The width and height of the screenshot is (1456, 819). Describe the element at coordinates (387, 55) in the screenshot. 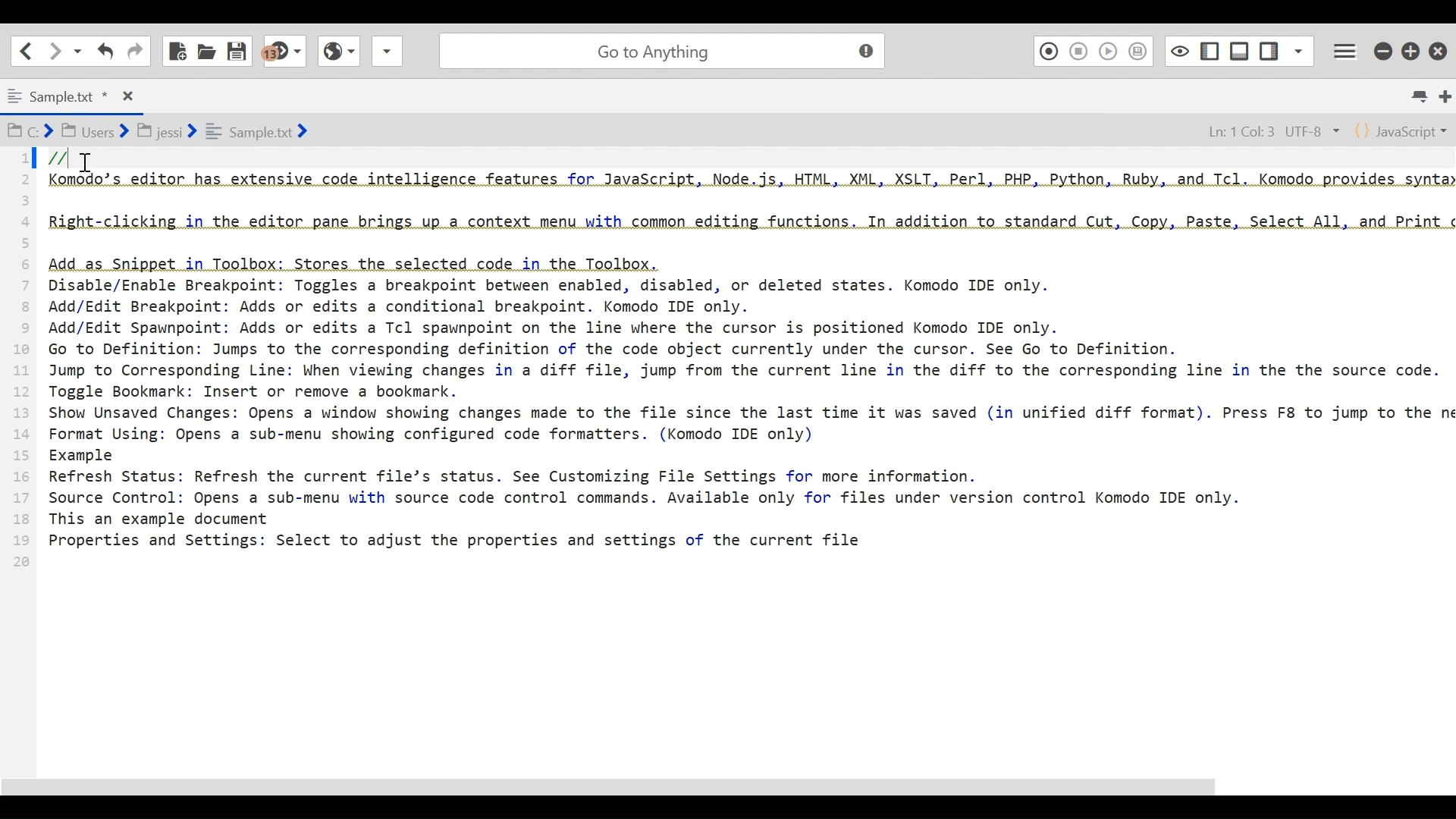

I see `dropdown` at that location.